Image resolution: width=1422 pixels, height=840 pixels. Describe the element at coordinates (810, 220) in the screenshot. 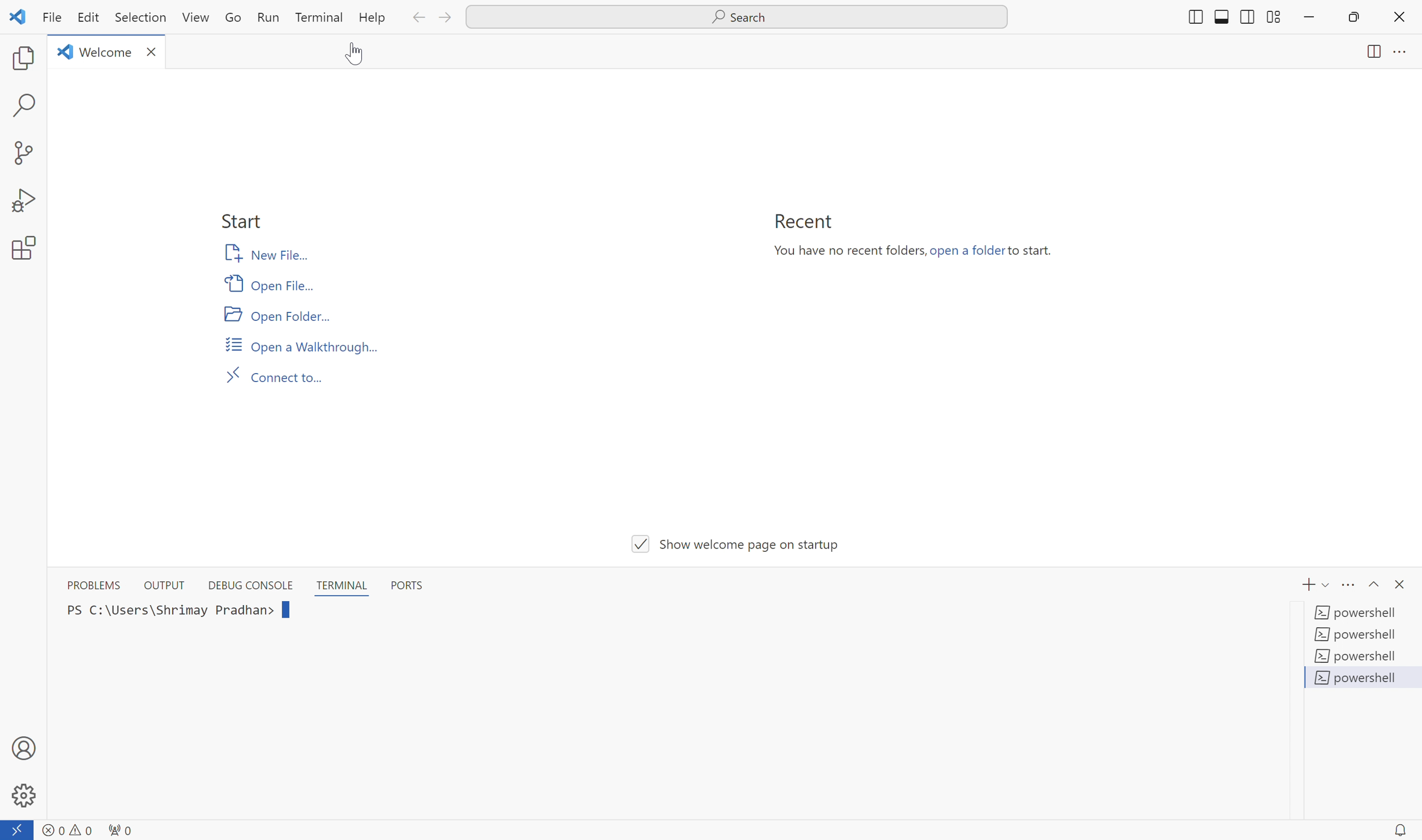

I see `Recent` at that location.